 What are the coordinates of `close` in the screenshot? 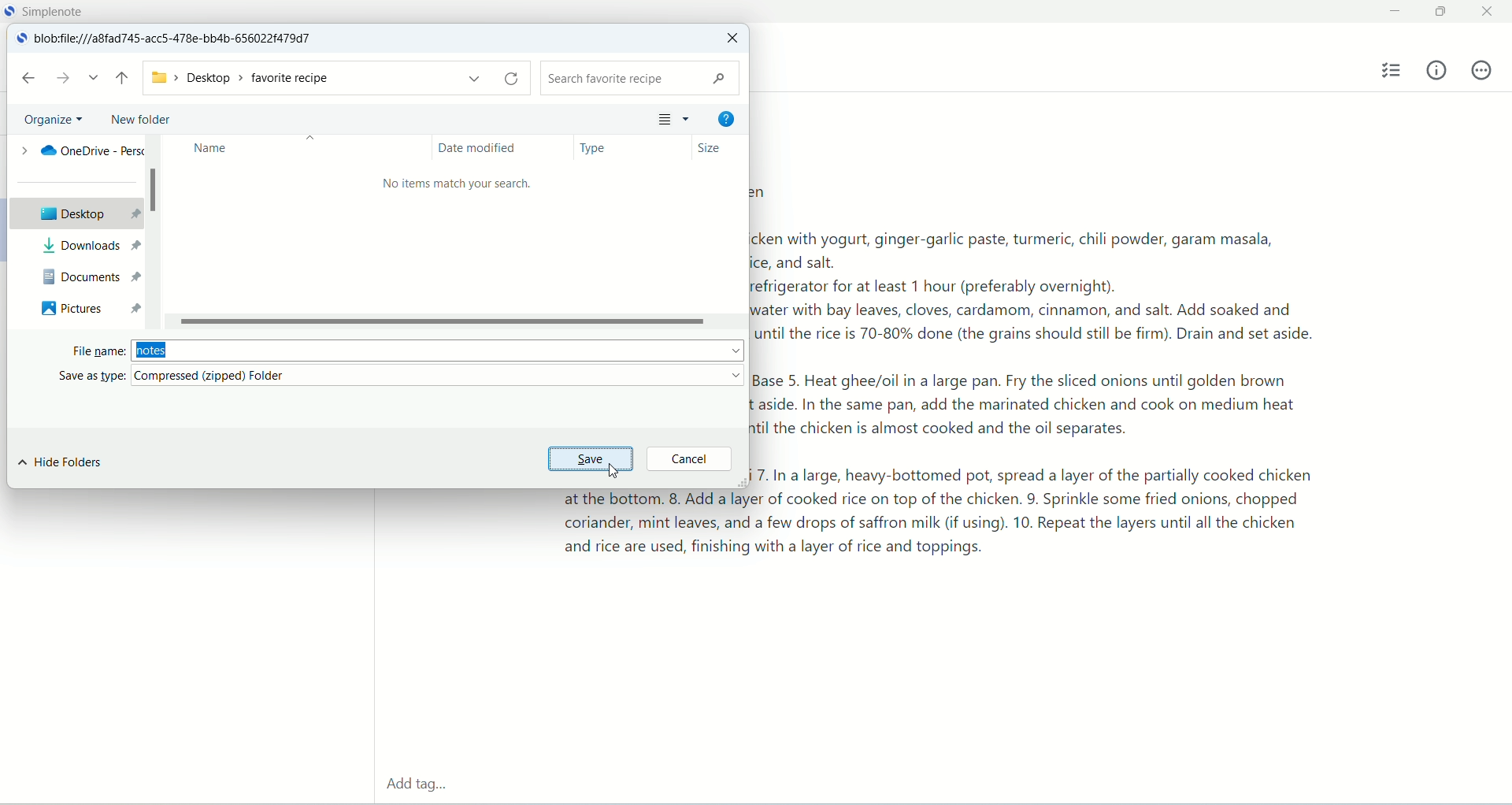 It's located at (731, 39).